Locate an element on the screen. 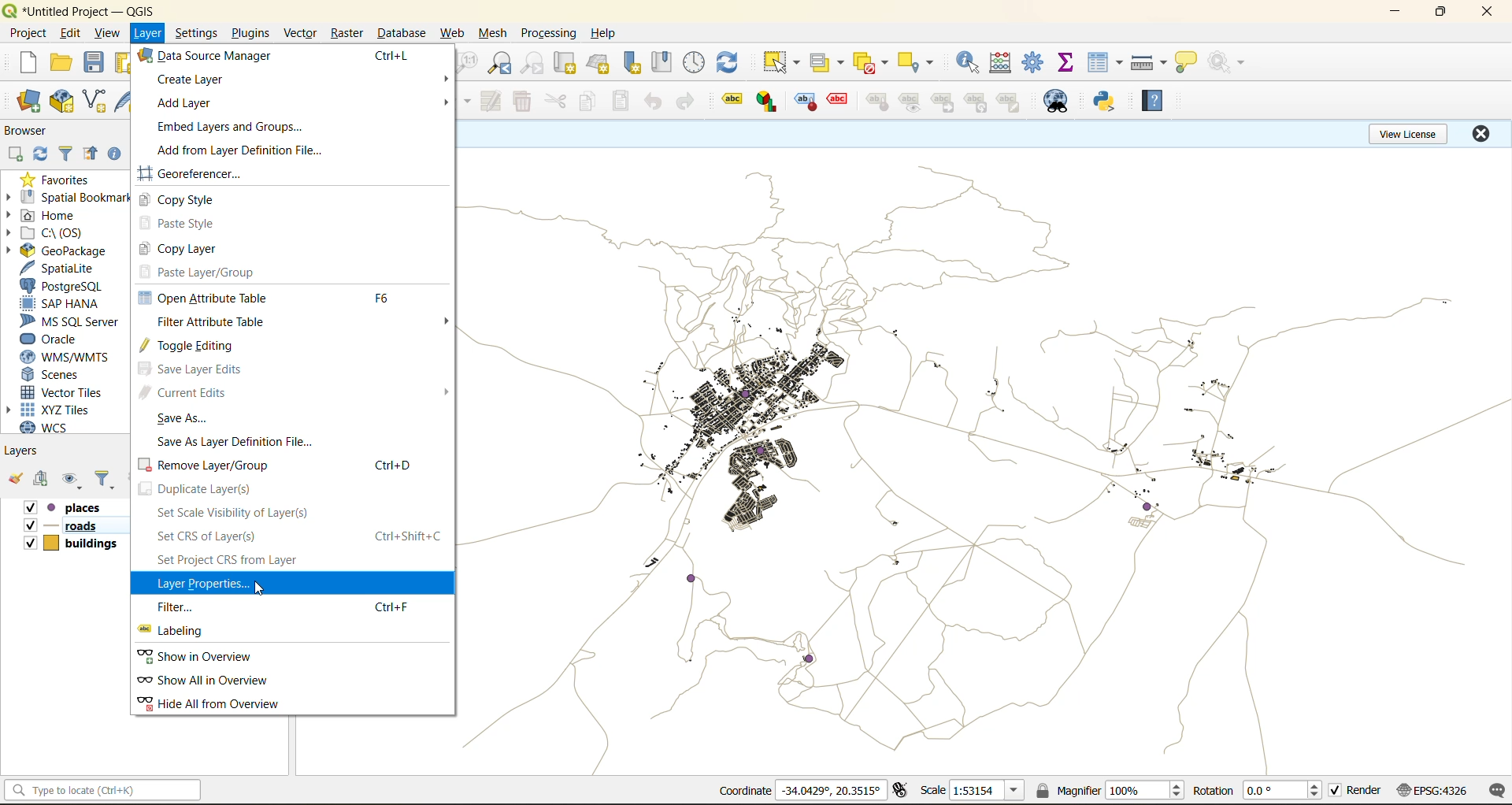 The width and height of the screenshot is (1512, 805). view license is located at coordinates (1406, 134).